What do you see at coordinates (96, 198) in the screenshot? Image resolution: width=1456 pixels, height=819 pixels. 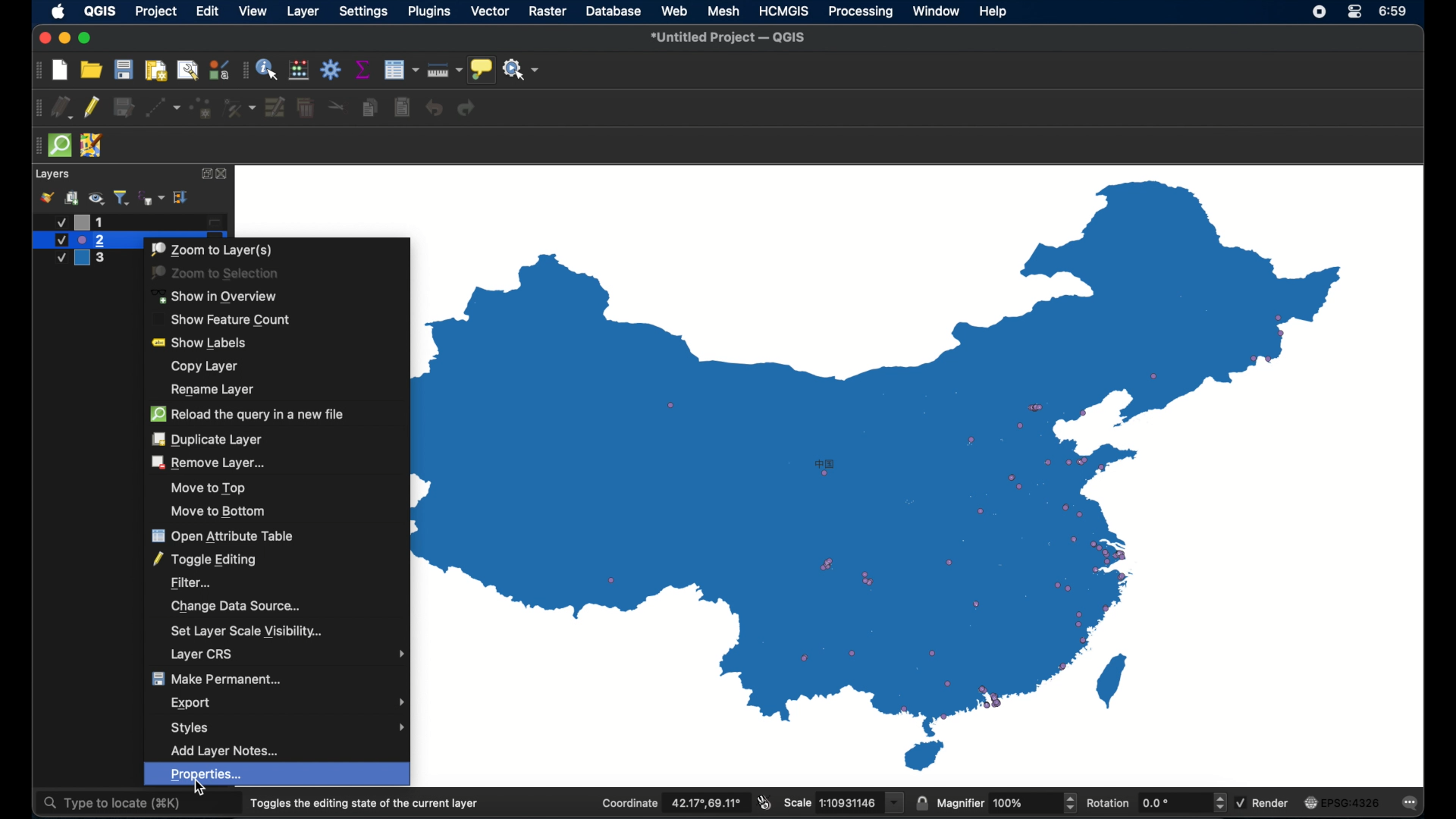 I see `manage map theme` at bounding box center [96, 198].